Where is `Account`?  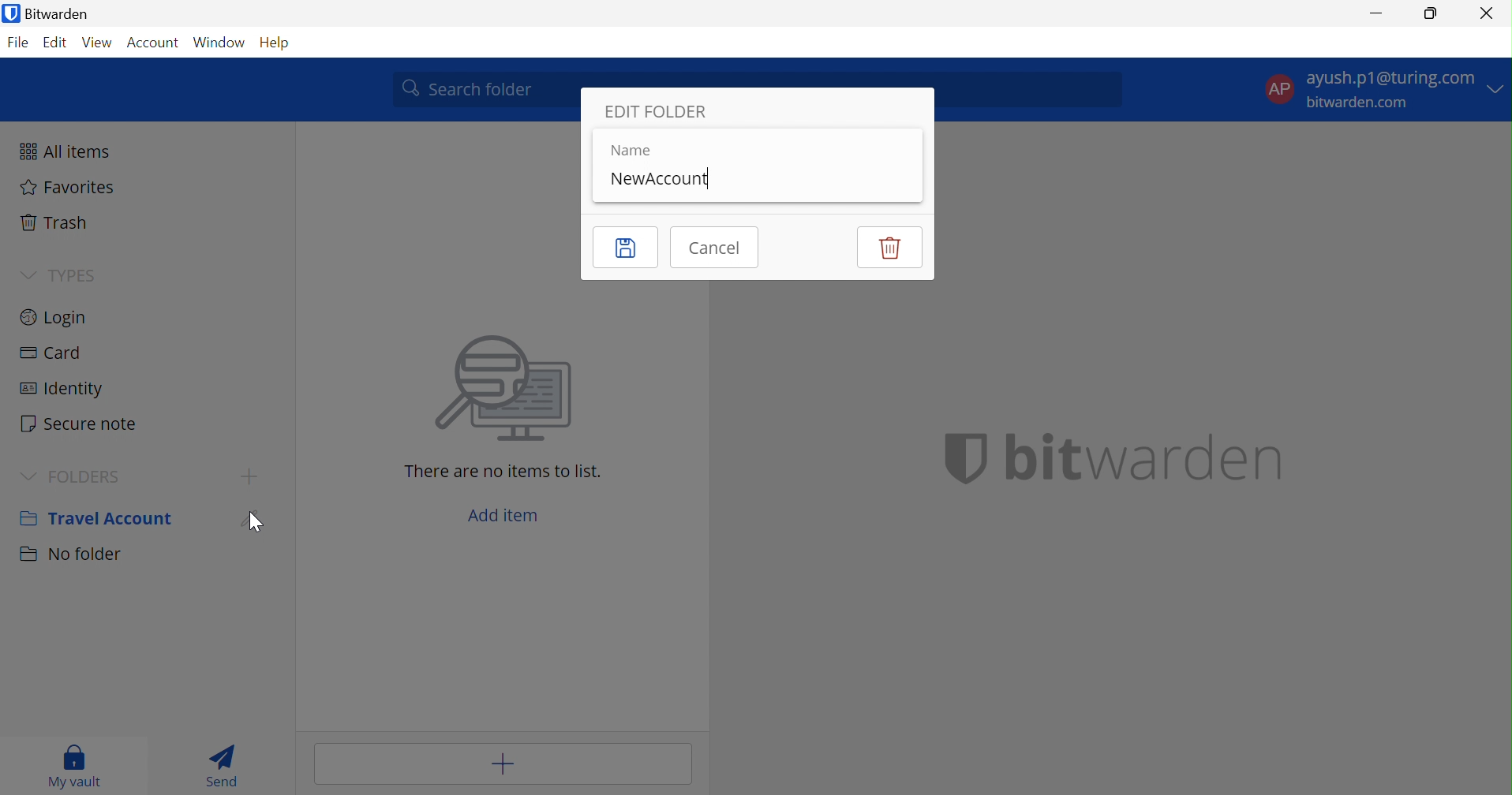 Account is located at coordinates (154, 42).